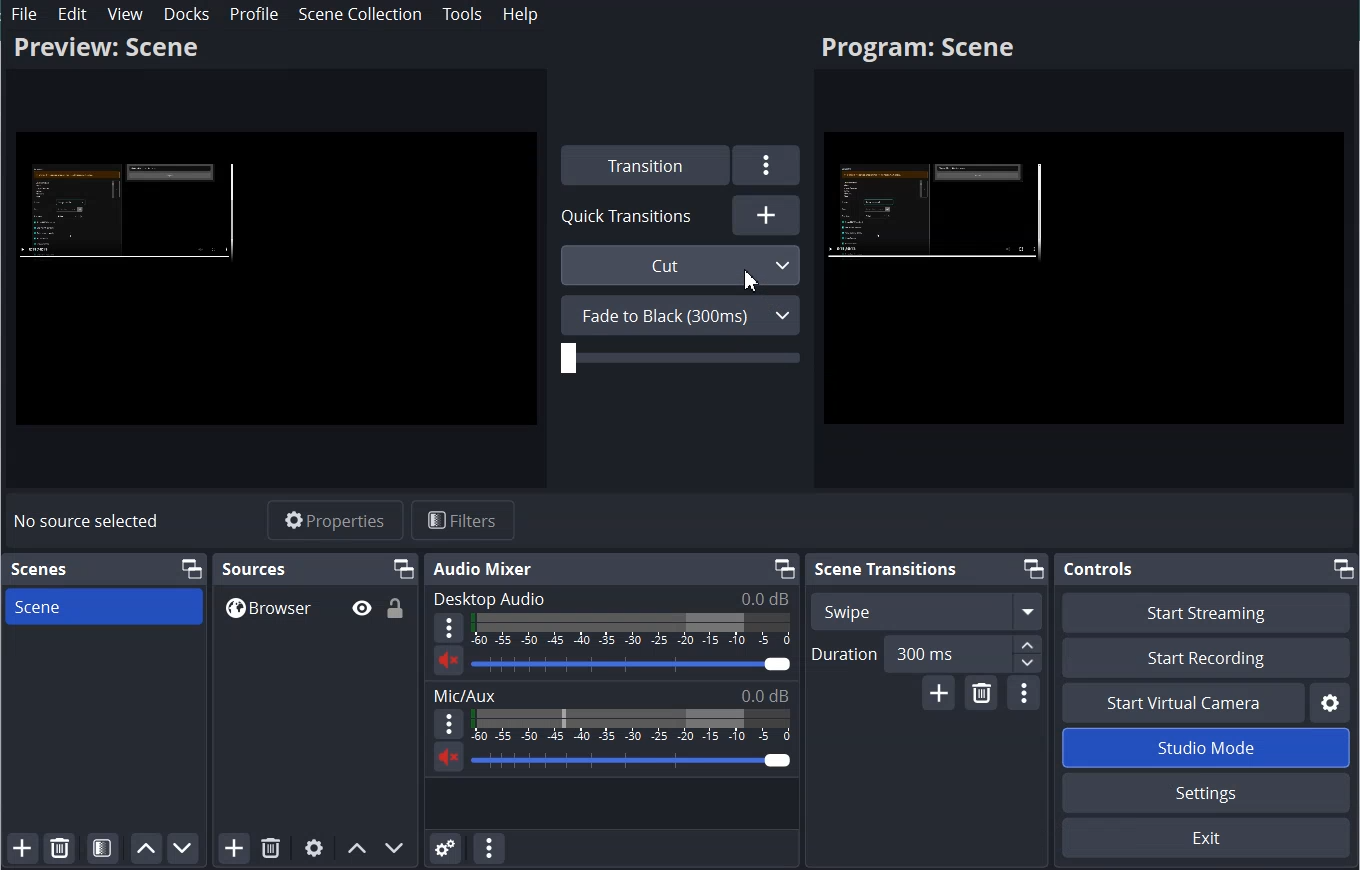 The height and width of the screenshot is (870, 1360). Describe the element at coordinates (766, 214) in the screenshot. I see `Add` at that location.